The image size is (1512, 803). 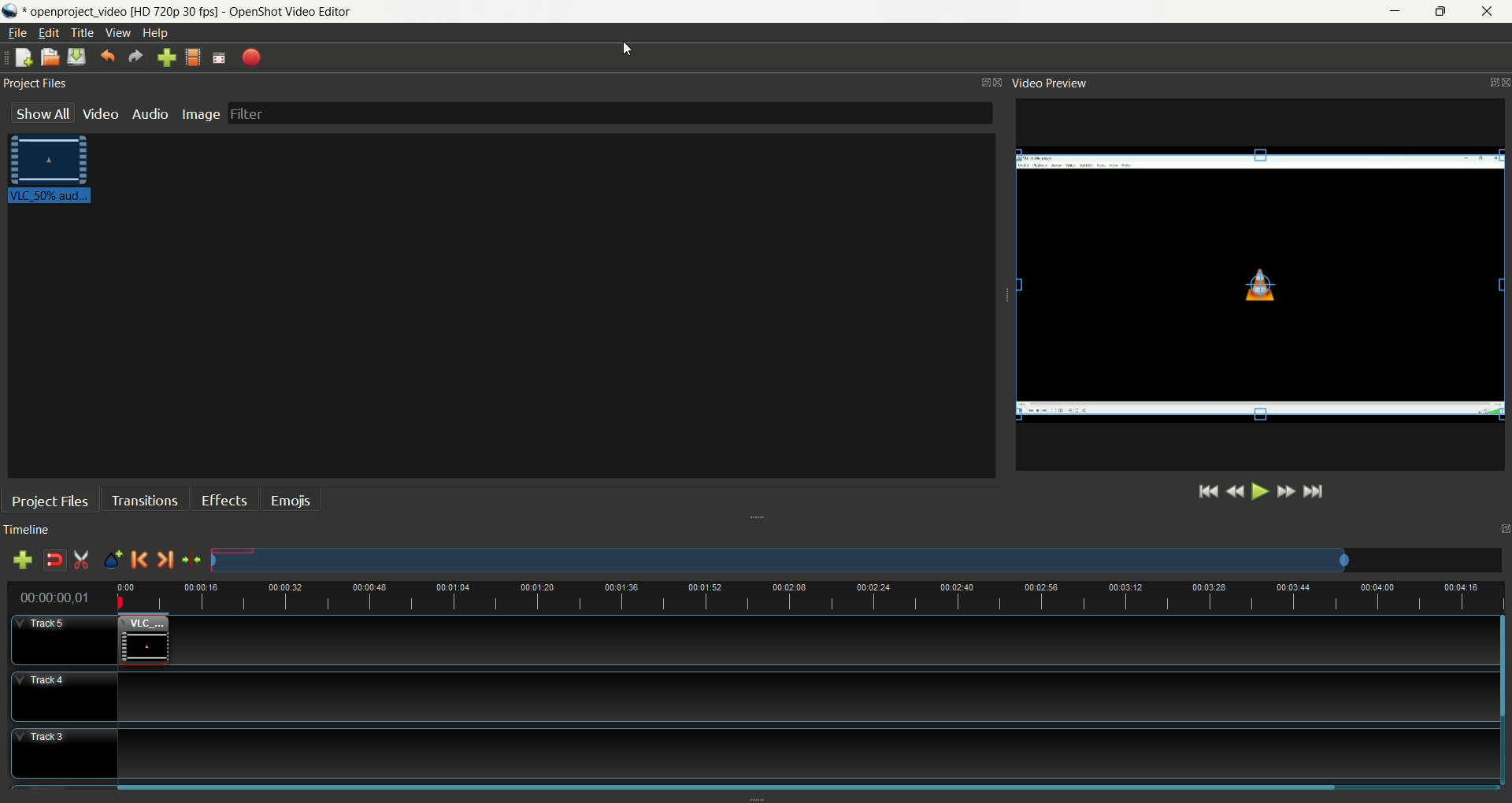 I want to click on emojis, so click(x=291, y=500).